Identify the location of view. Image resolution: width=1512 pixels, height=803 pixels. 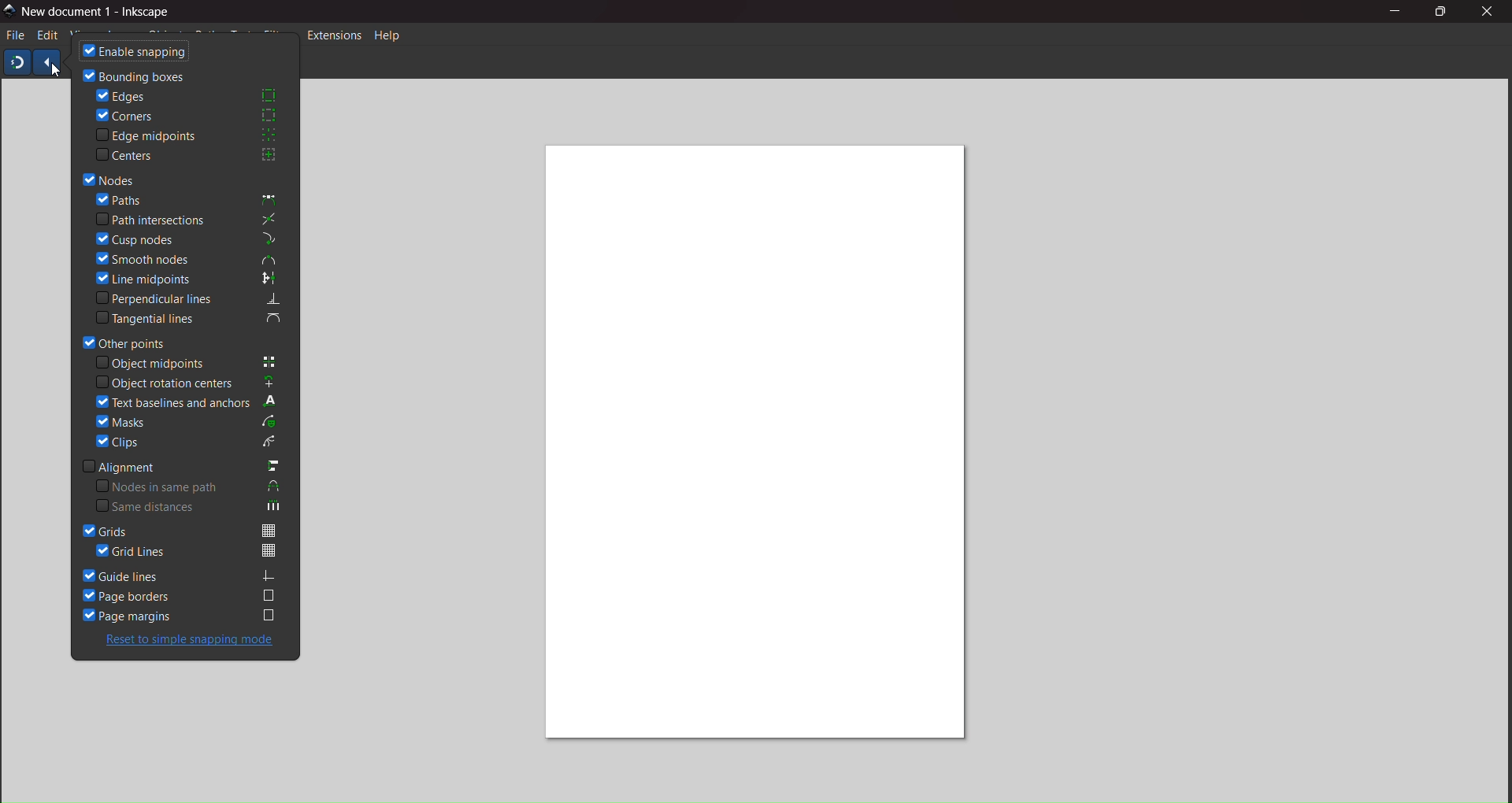
(80, 37).